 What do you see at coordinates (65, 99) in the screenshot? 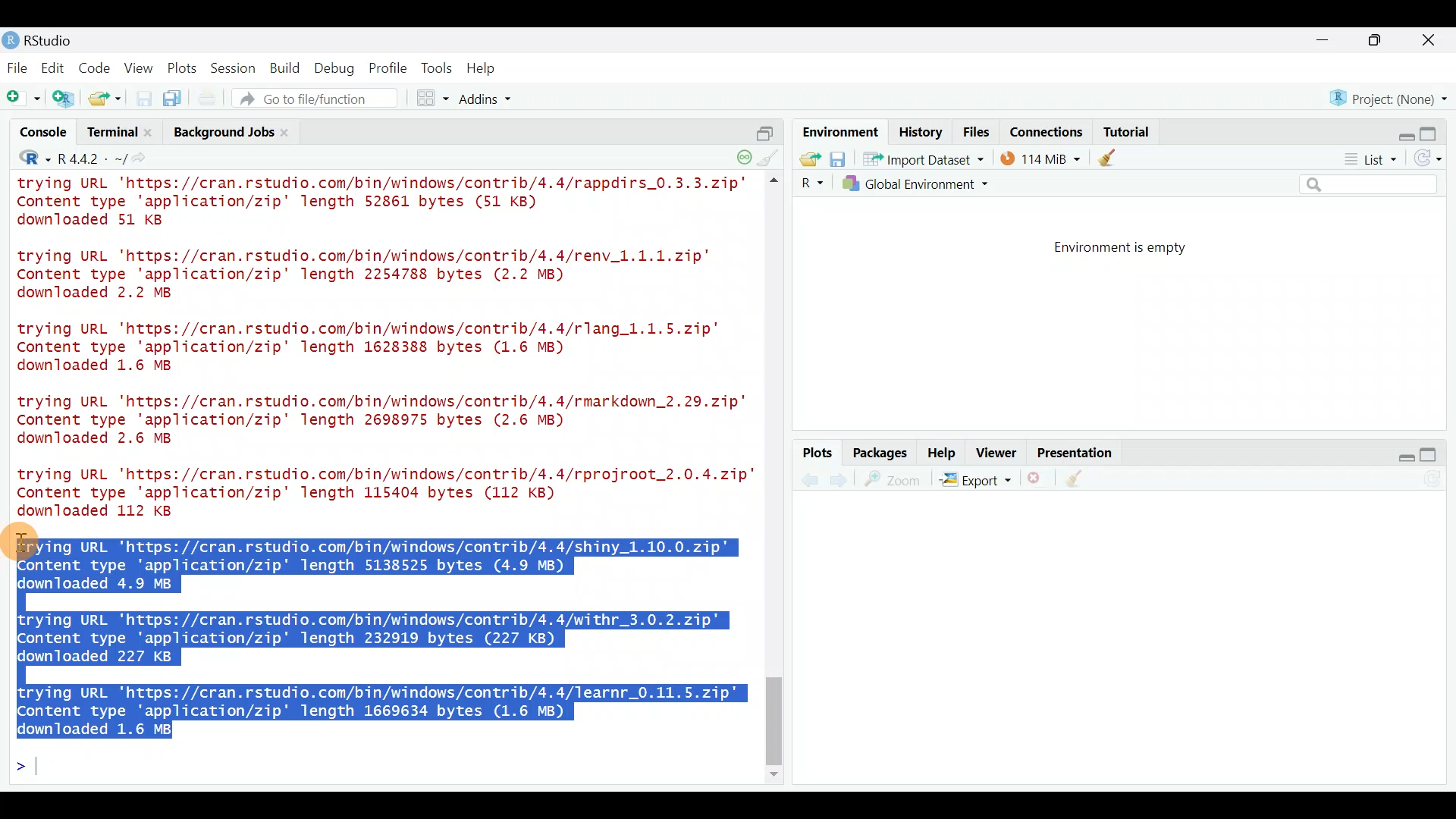
I see `Create a project` at bounding box center [65, 99].